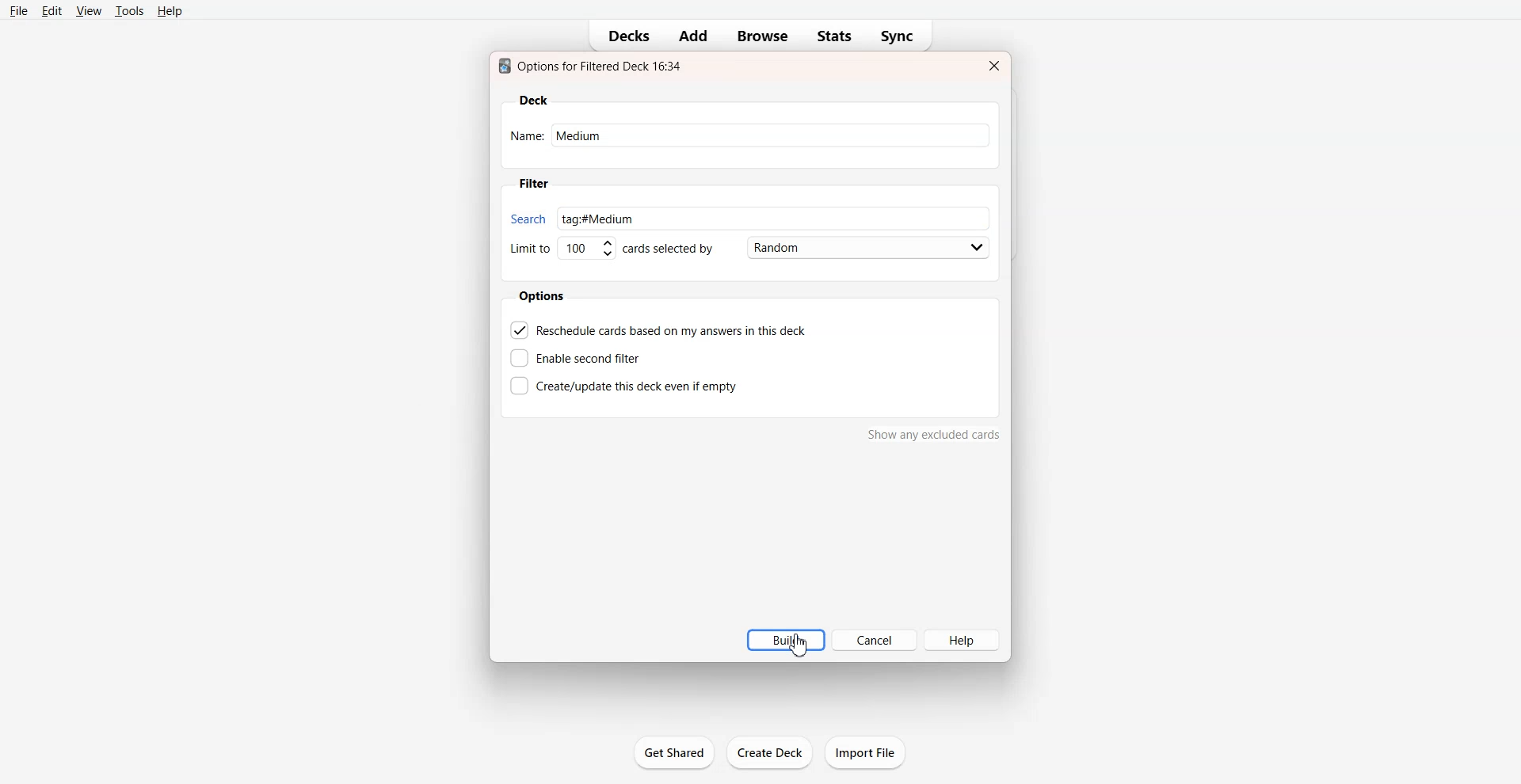 The width and height of the screenshot is (1521, 784). Describe the element at coordinates (993, 66) in the screenshot. I see `Close` at that location.